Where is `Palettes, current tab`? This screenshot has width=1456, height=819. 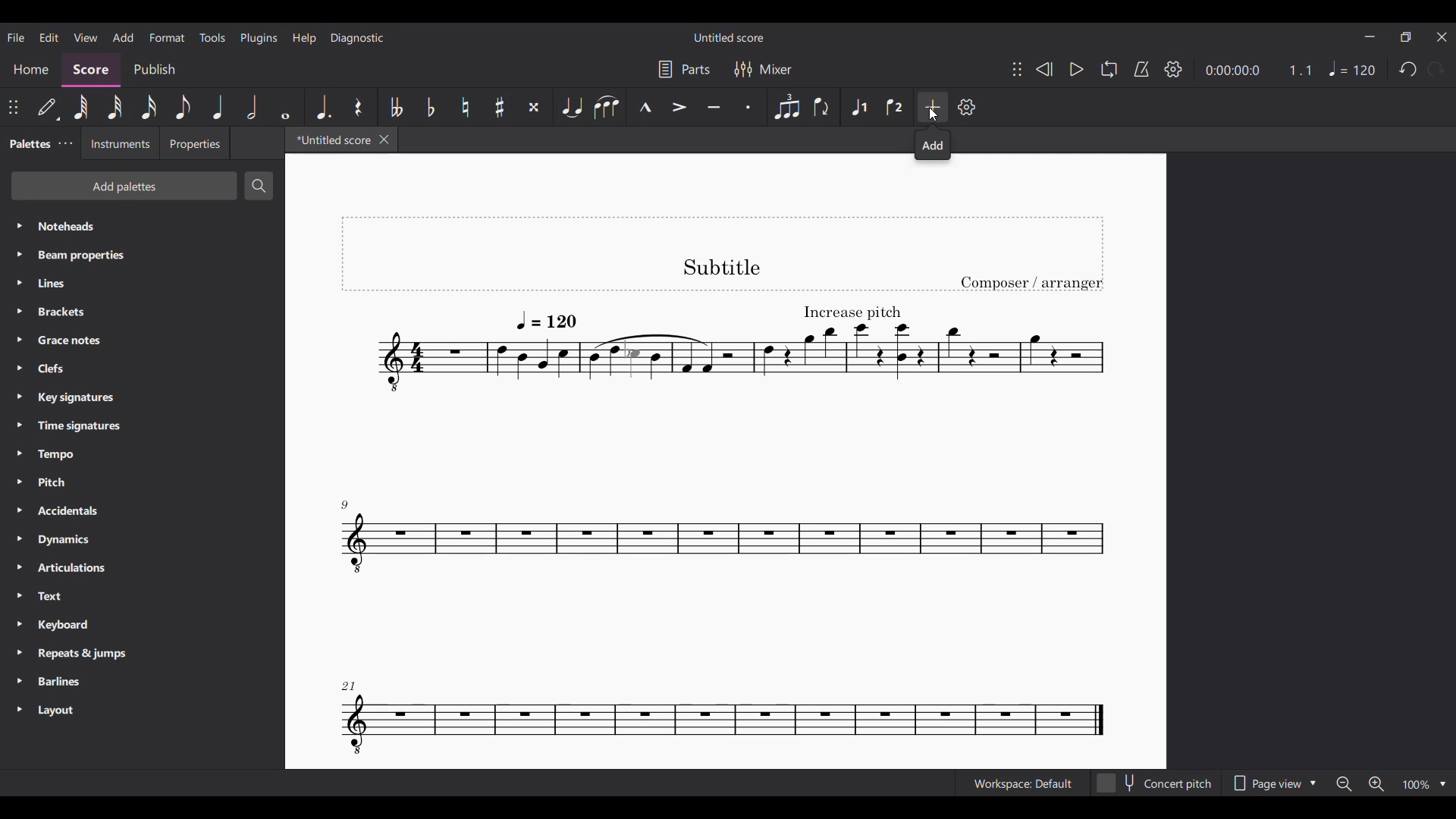
Palettes, current tab is located at coordinates (29, 144).